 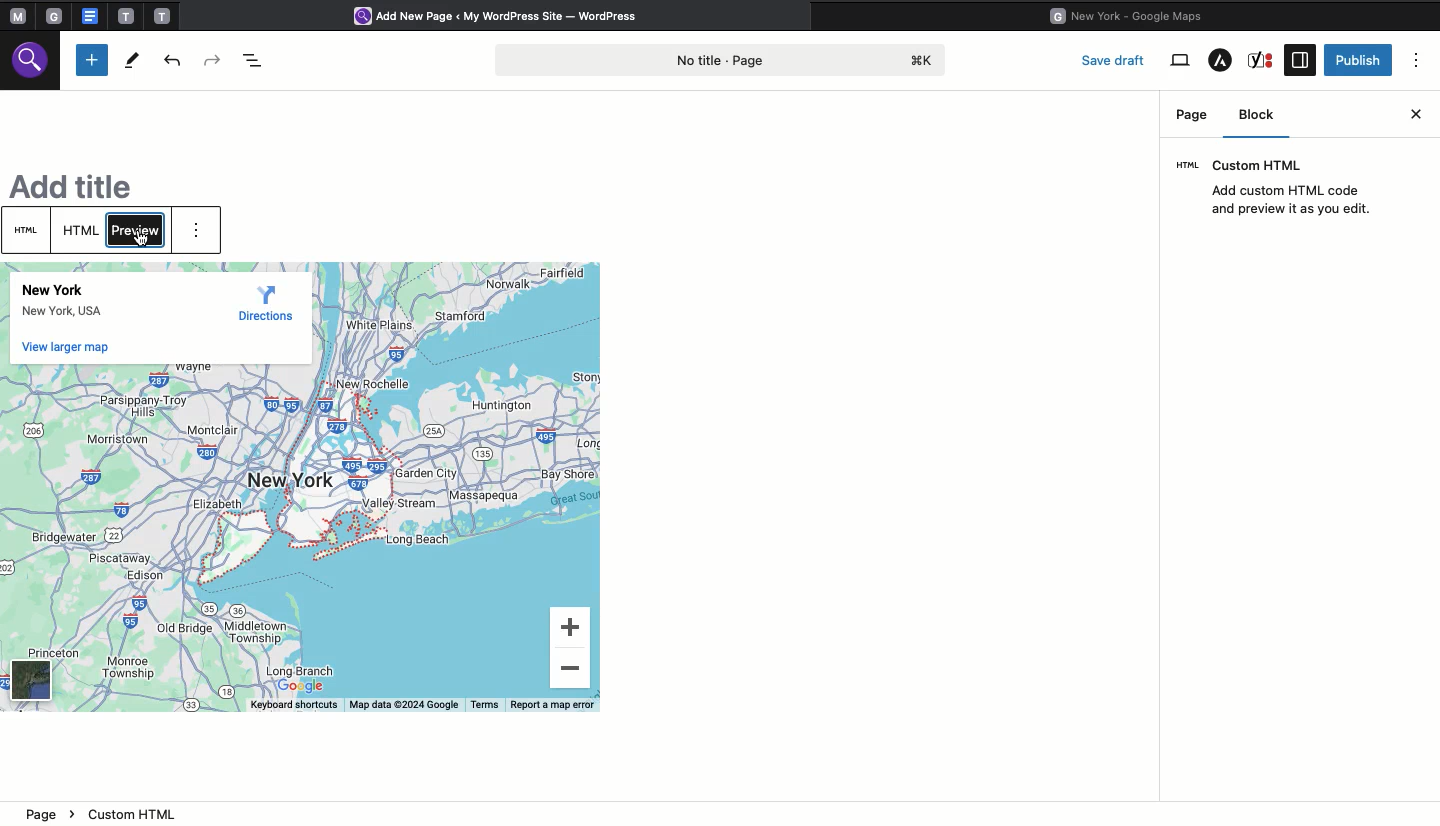 I want to click on HTML, so click(x=82, y=231).